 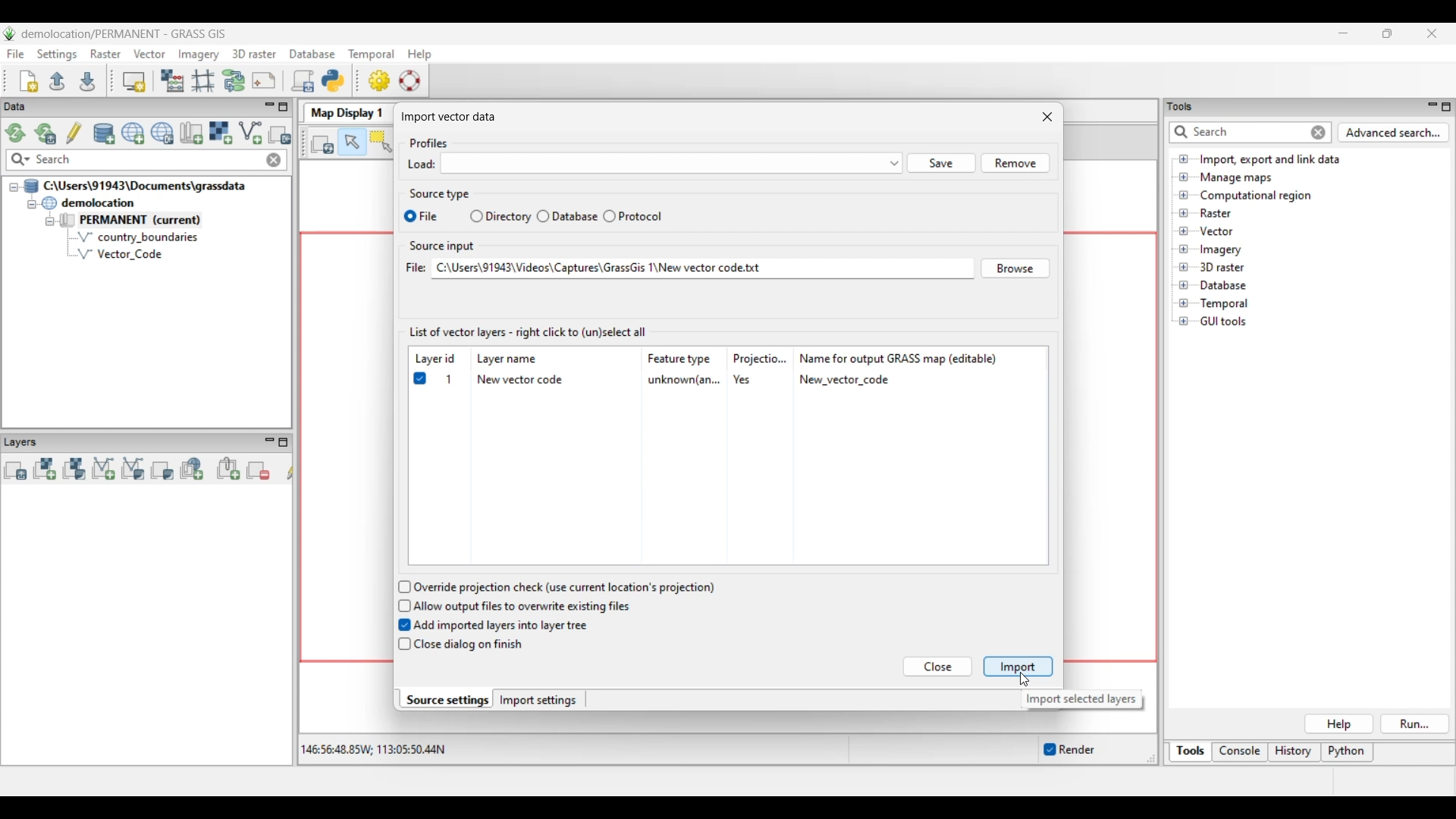 What do you see at coordinates (671, 165) in the screenshot?
I see `menu` at bounding box center [671, 165].